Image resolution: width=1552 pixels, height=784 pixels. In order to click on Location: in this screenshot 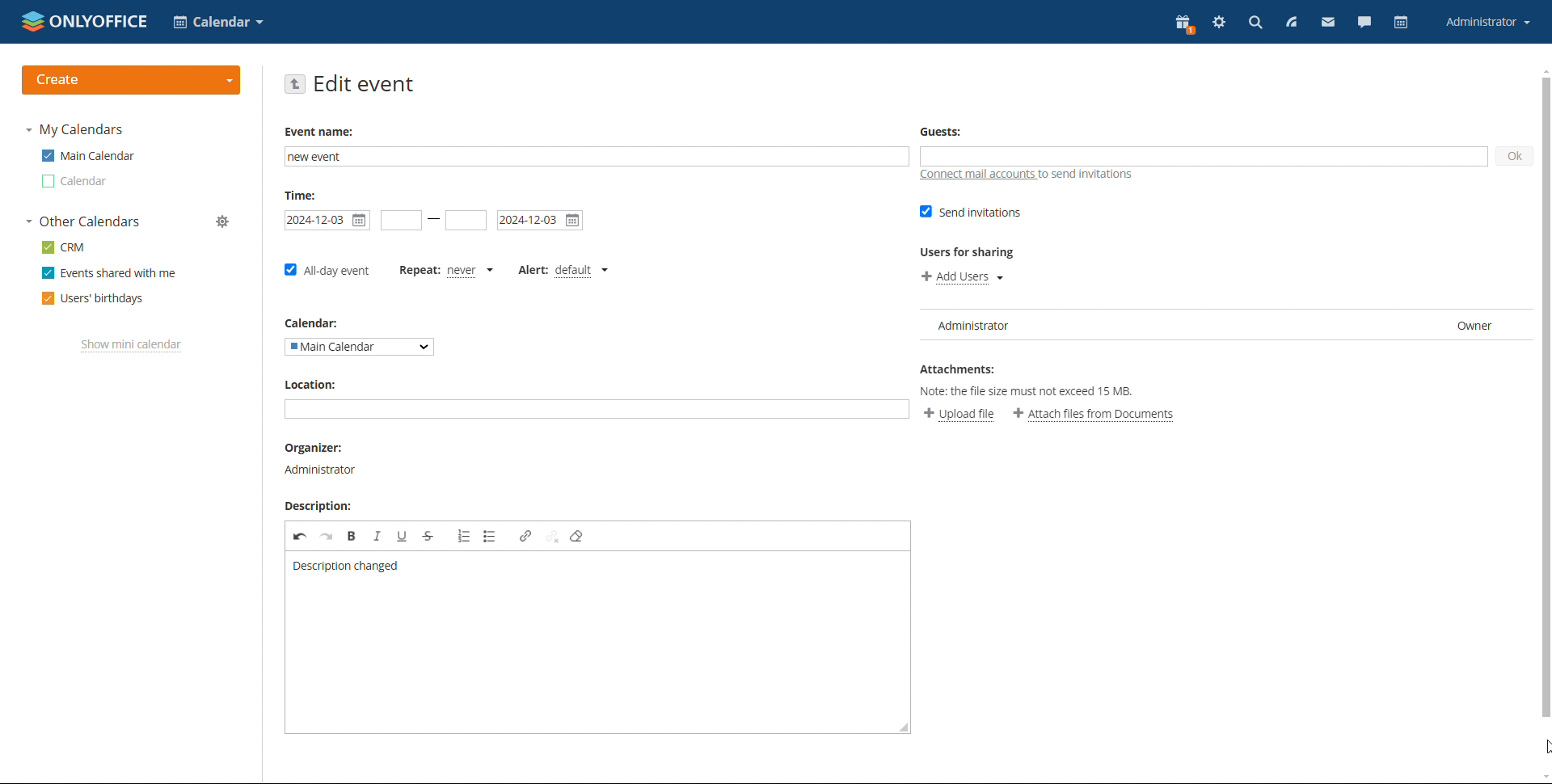, I will do `click(312, 384)`.